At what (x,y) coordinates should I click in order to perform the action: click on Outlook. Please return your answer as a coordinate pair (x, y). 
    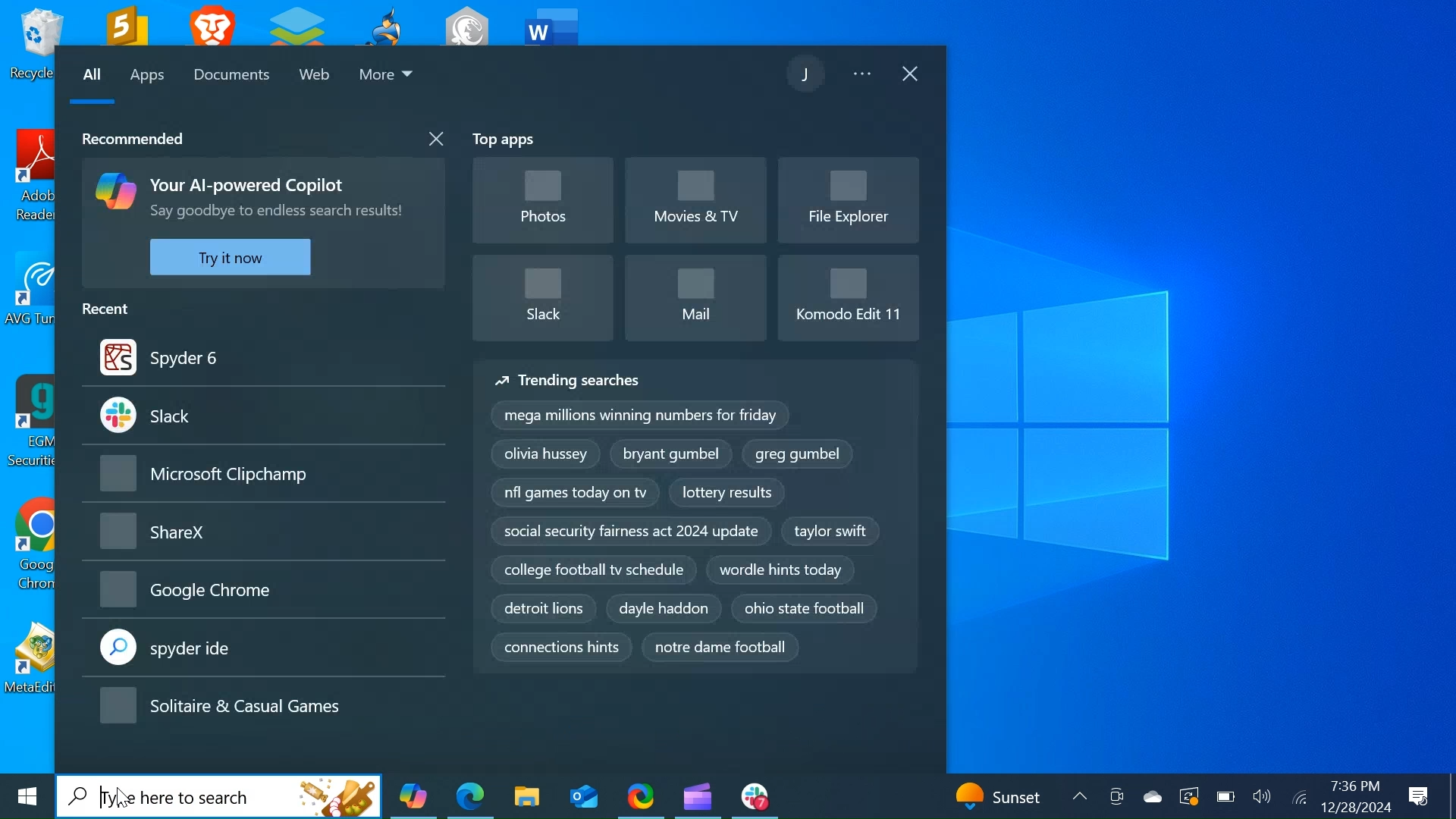
    Looking at the image, I should click on (583, 796).